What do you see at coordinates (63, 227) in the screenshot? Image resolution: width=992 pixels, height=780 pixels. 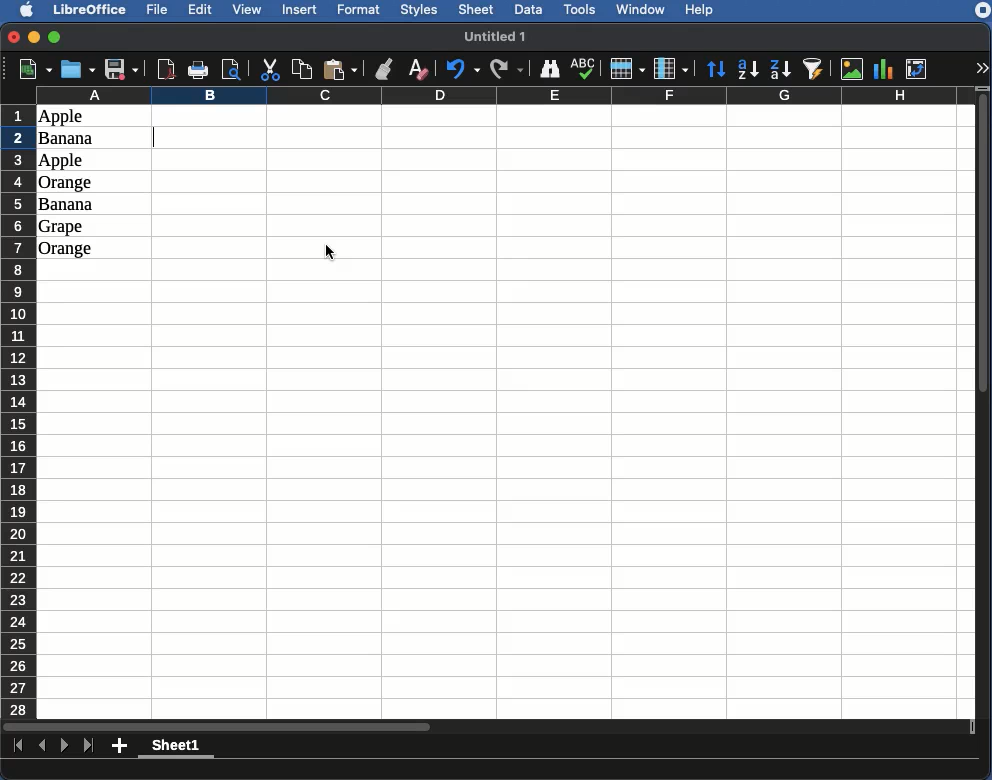 I see `Grape` at bounding box center [63, 227].